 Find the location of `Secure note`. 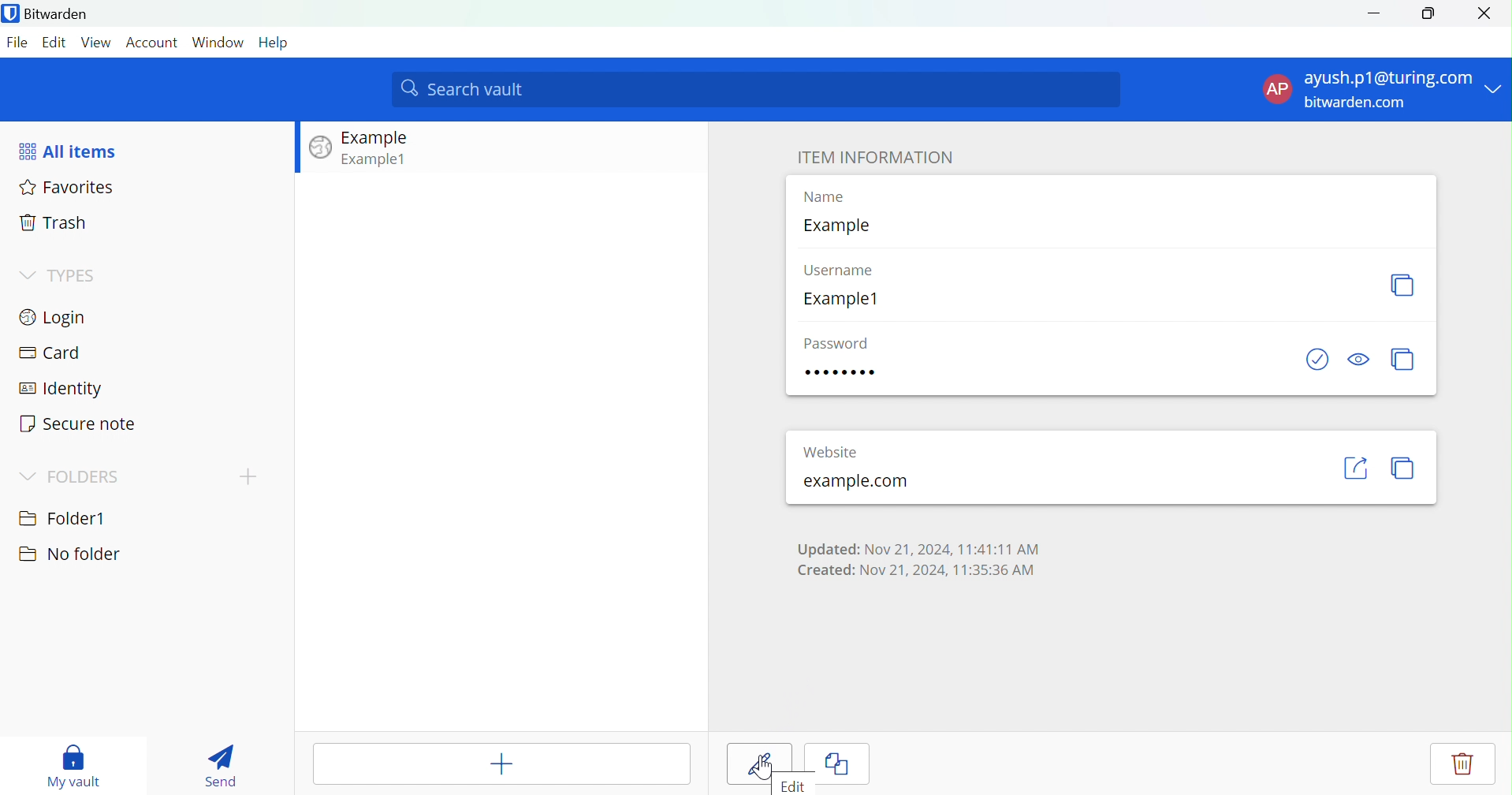

Secure note is located at coordinates (78, 424).